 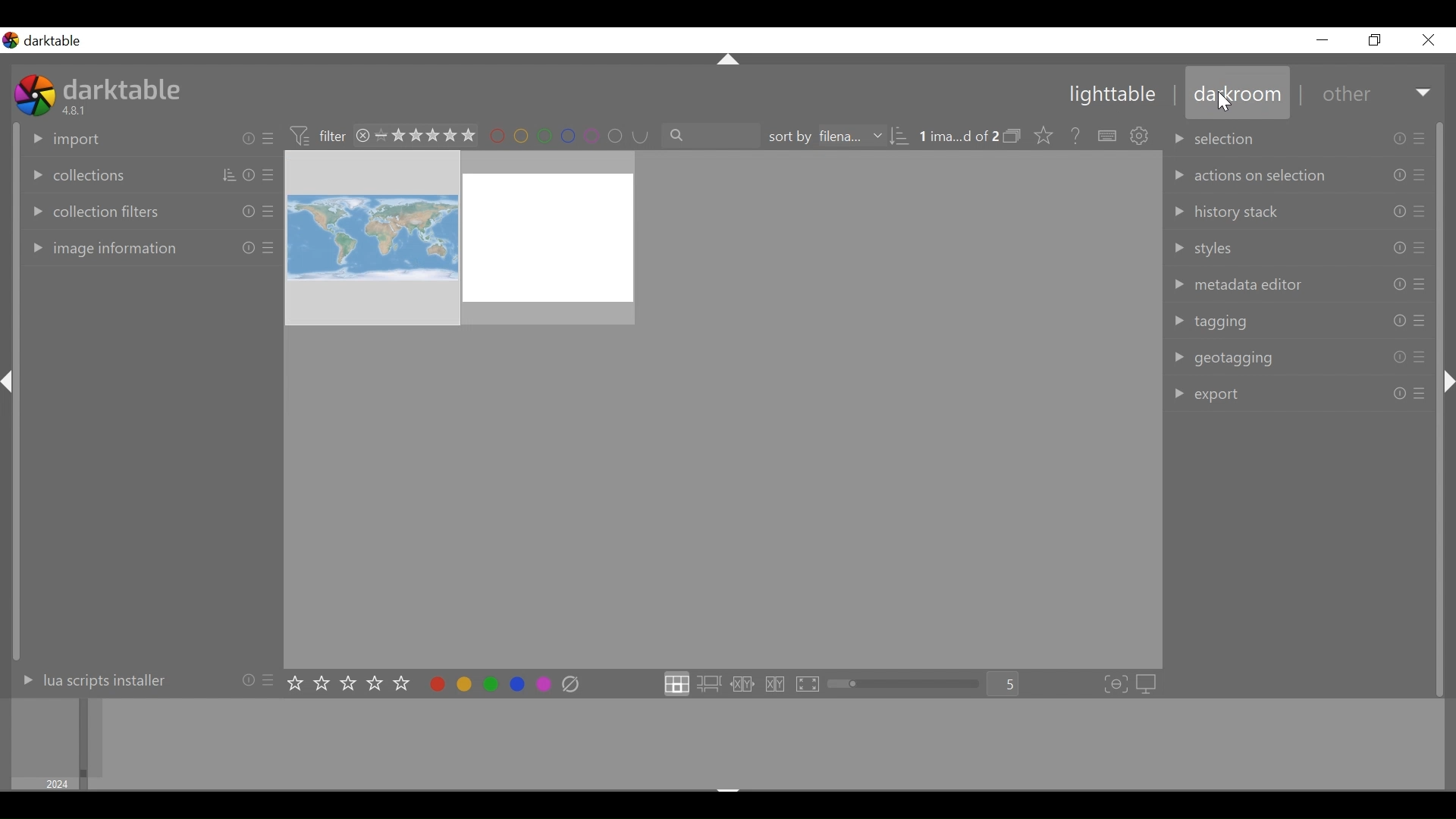 I want to click on sort by, so click(x=843, y=136).